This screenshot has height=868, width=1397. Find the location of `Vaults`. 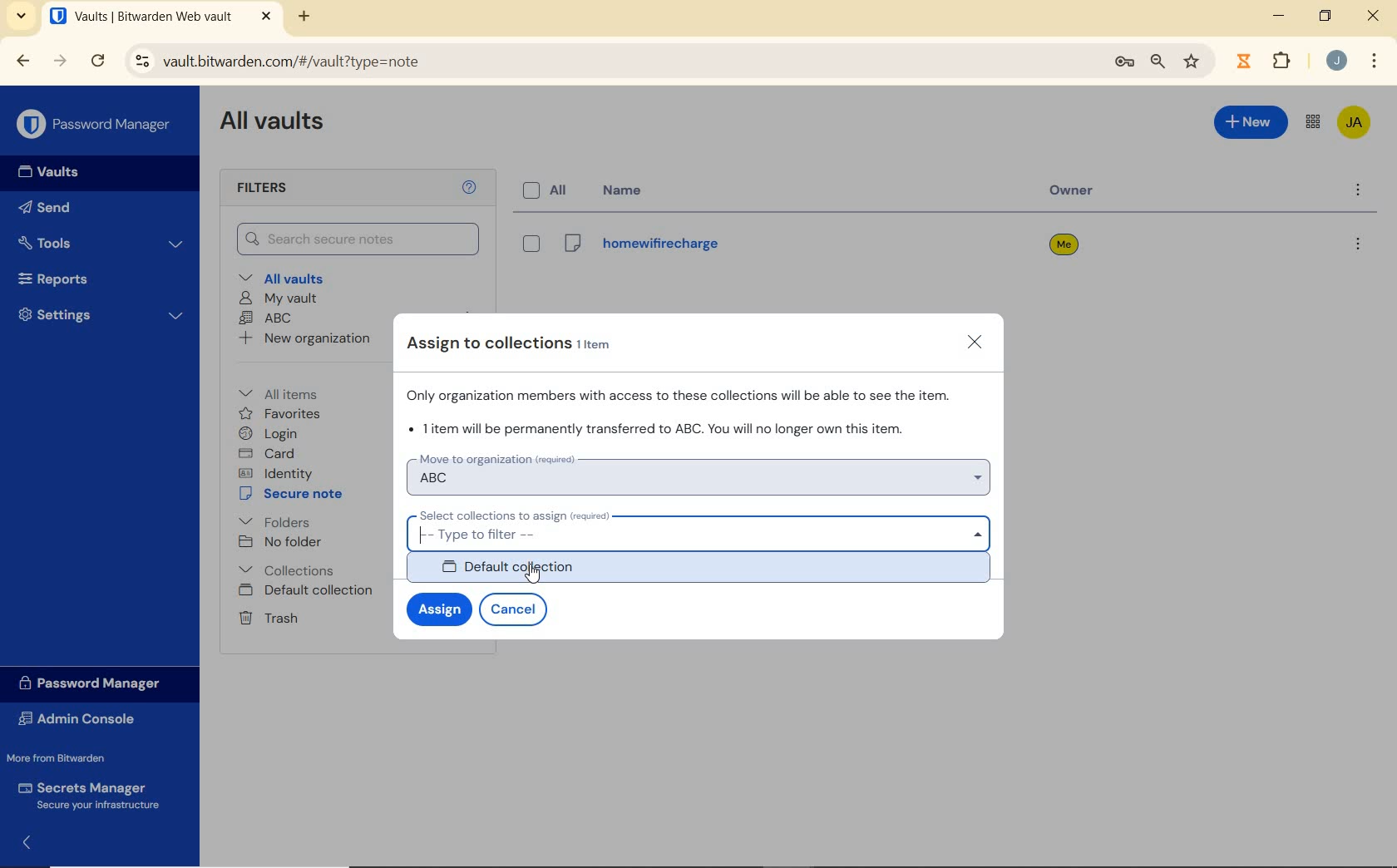

Vaults is located at coordinates (43, 172).